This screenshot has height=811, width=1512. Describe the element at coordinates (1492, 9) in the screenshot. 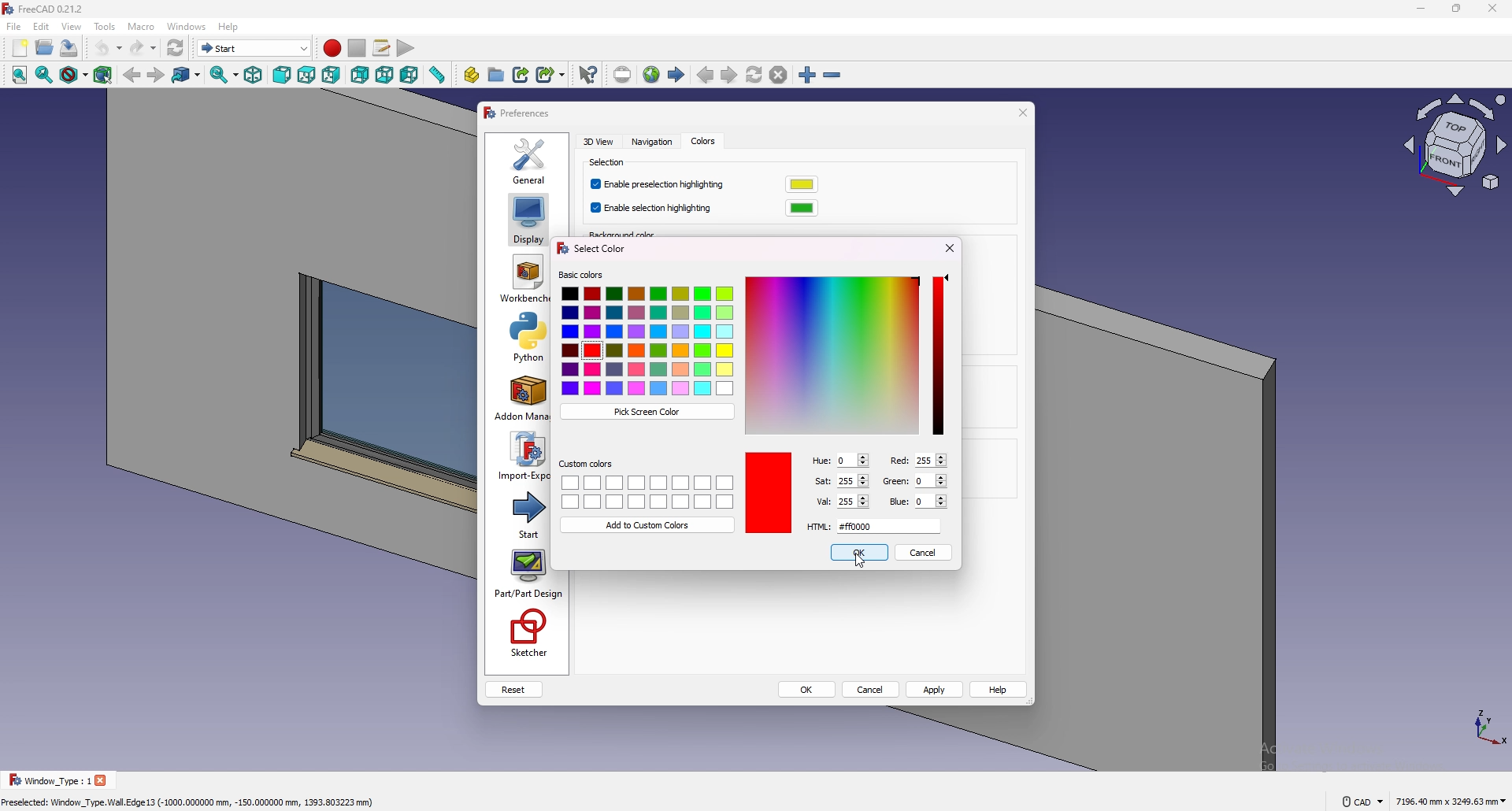

I see `close` at that location.